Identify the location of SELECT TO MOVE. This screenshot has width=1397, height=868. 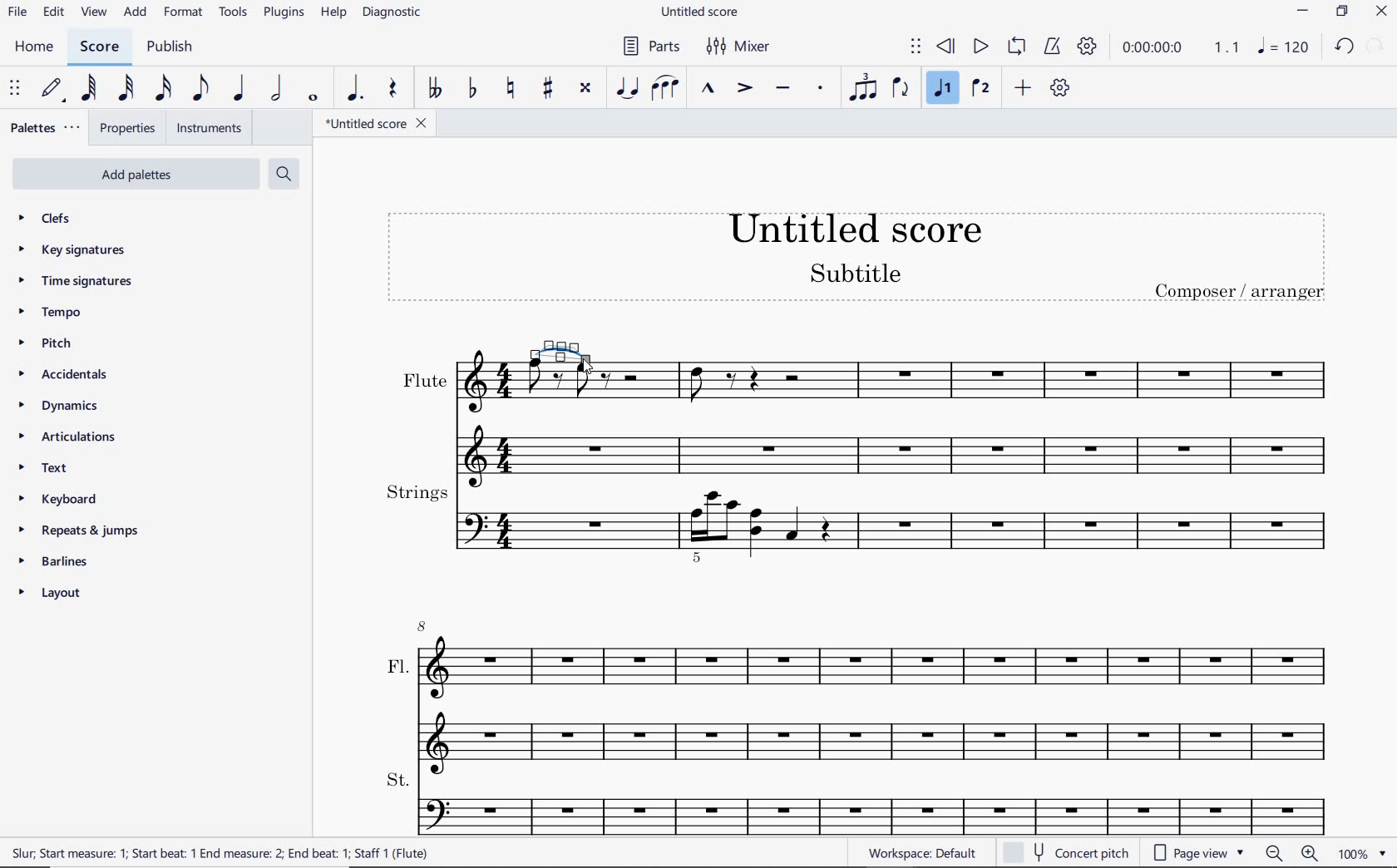
(13, 86).